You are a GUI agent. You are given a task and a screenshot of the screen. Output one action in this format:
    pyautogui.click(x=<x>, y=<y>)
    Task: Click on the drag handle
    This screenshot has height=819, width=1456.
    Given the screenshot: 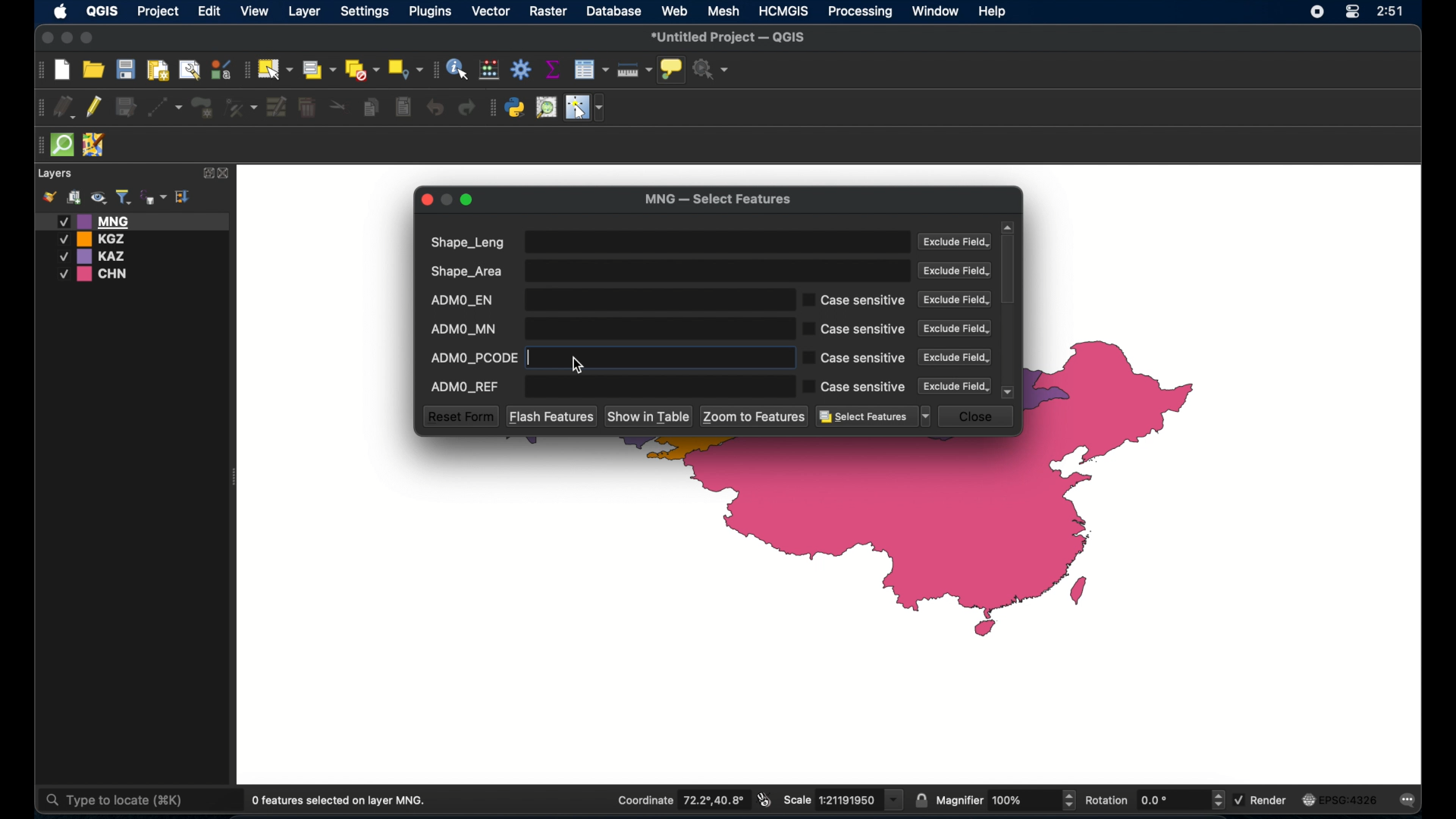 What is the action you would take?
    pyautogui.click(x=39, y=106)
    